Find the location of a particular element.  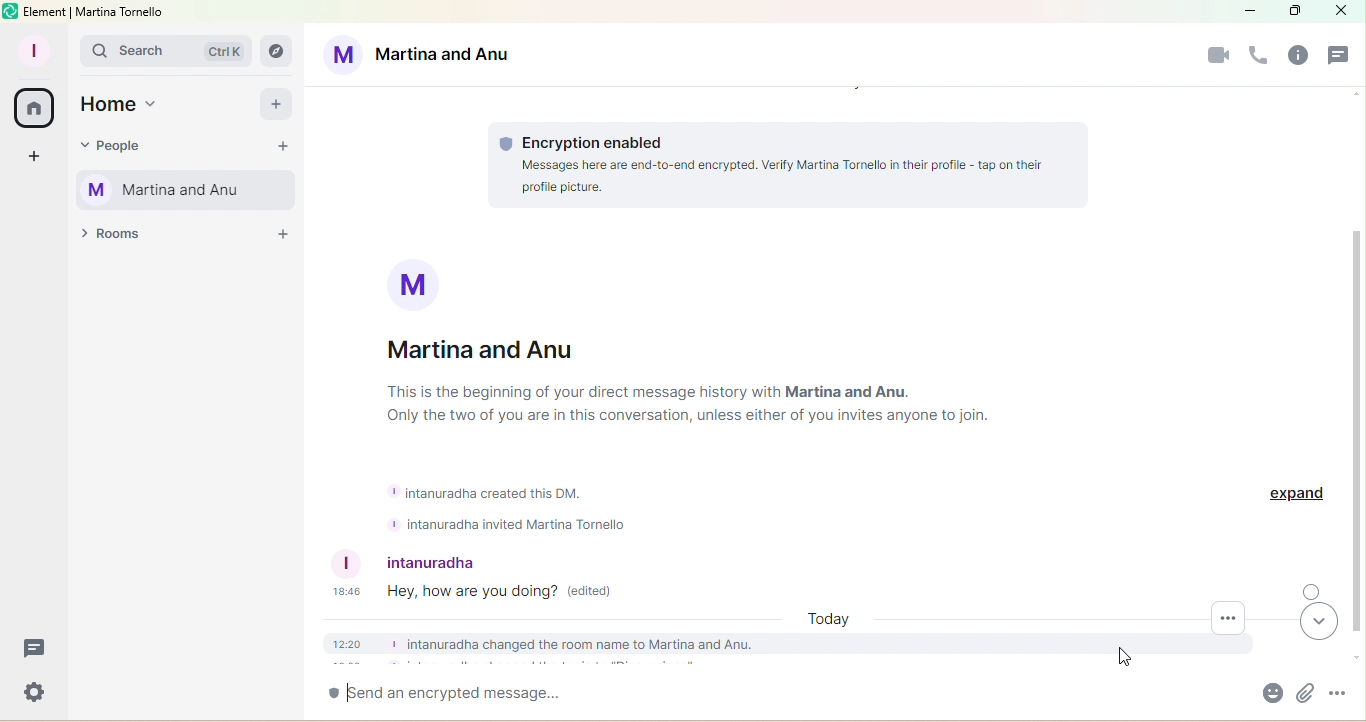

Profile picture is located at coordinates (417, 284).